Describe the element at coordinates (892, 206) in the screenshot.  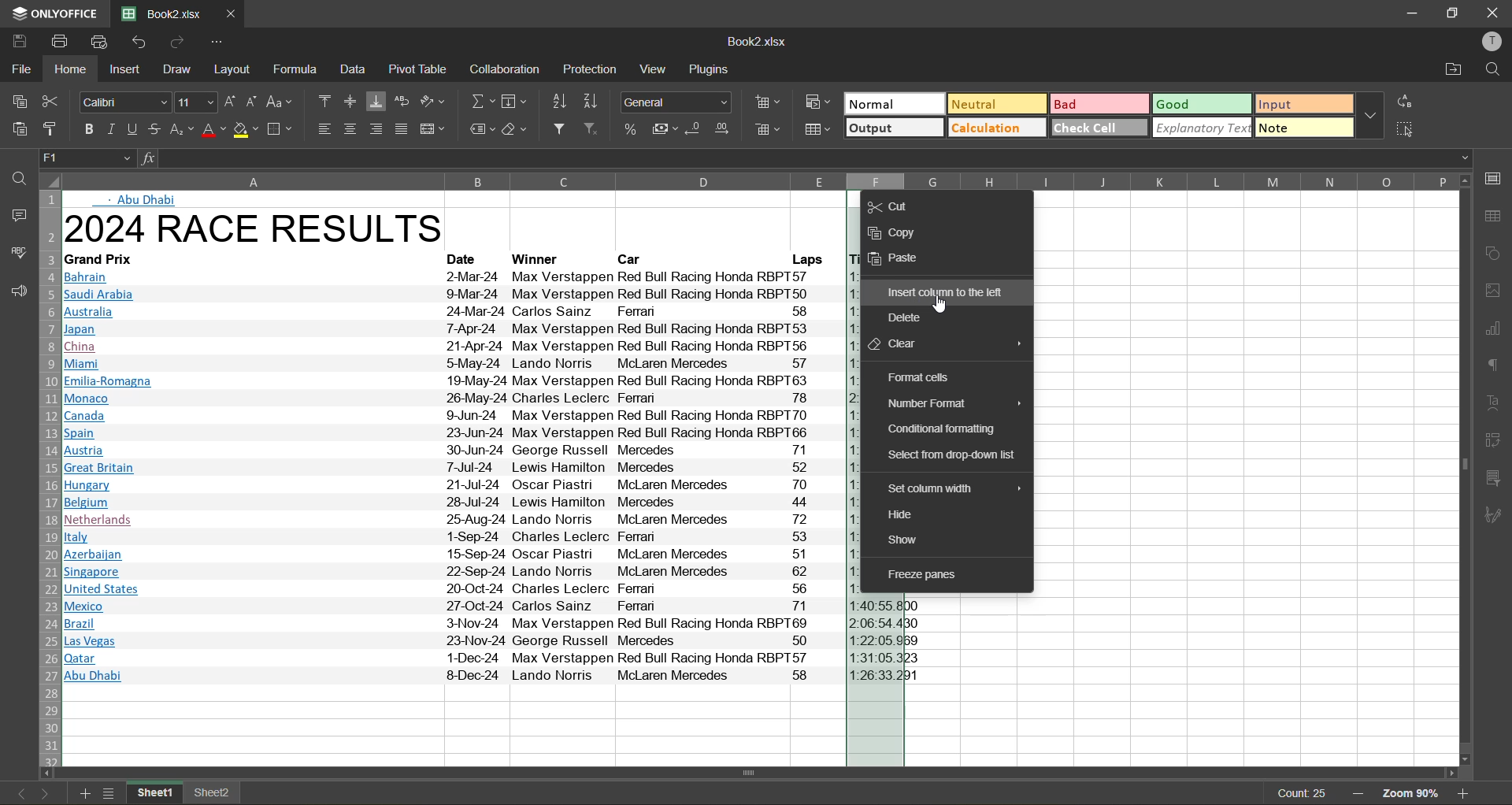
I see `cut` at that location.